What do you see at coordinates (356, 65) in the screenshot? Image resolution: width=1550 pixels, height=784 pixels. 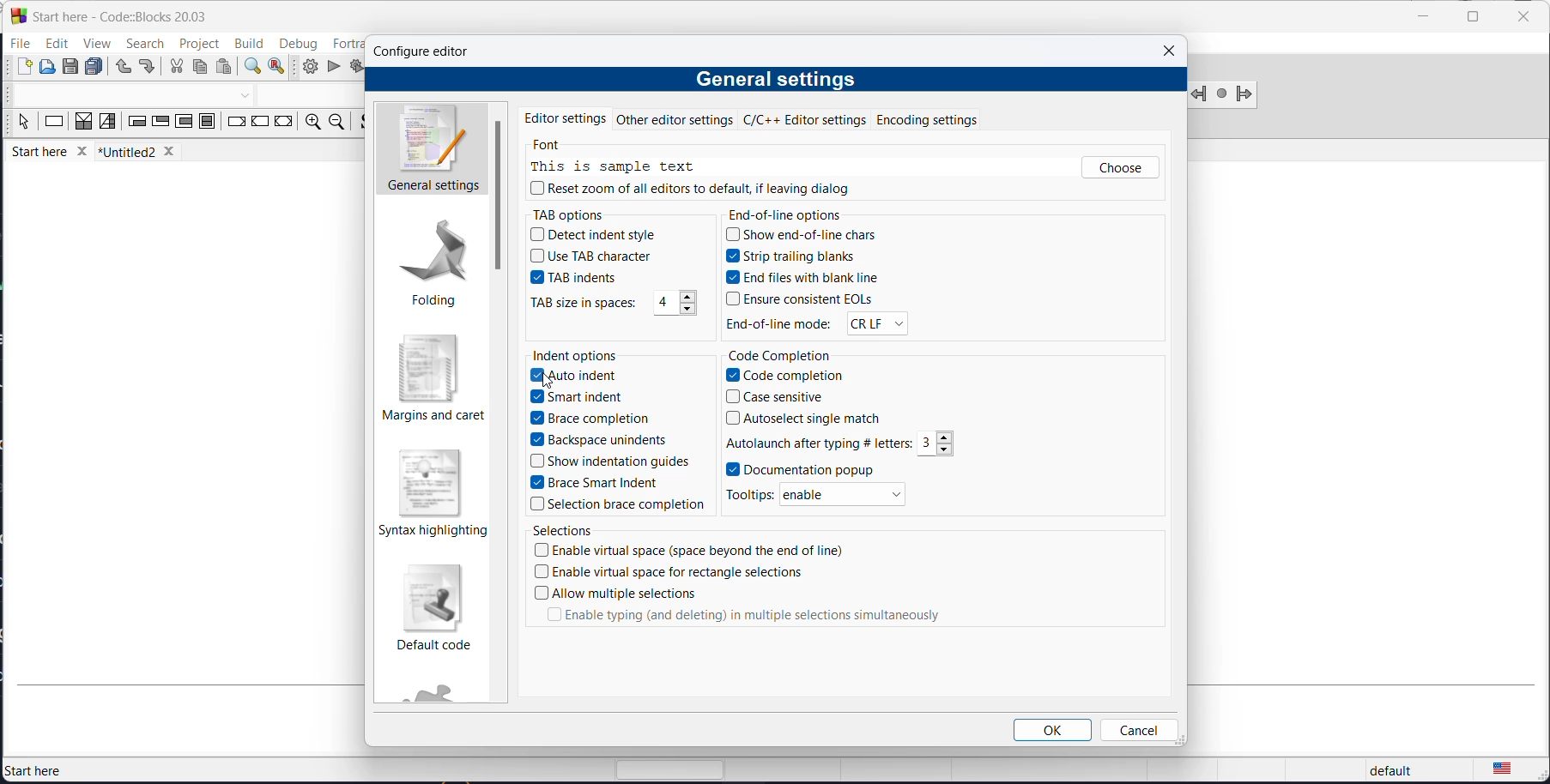 I see `build and run` at bounding box center [356, 65].